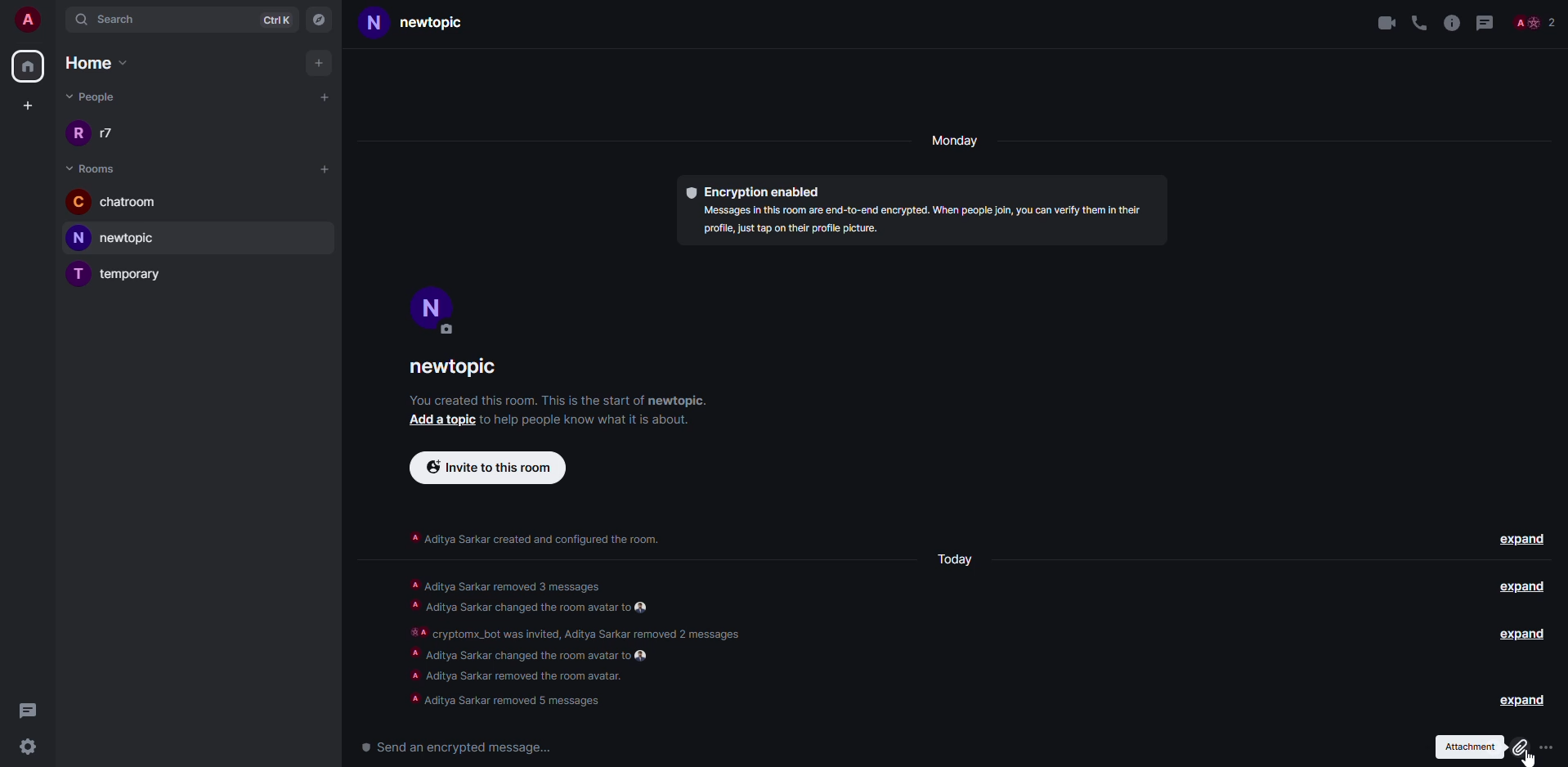 The image size is (1568, 767). Describe the element at coordinates (121, 203) in the screenshot. I see `room` at that location.